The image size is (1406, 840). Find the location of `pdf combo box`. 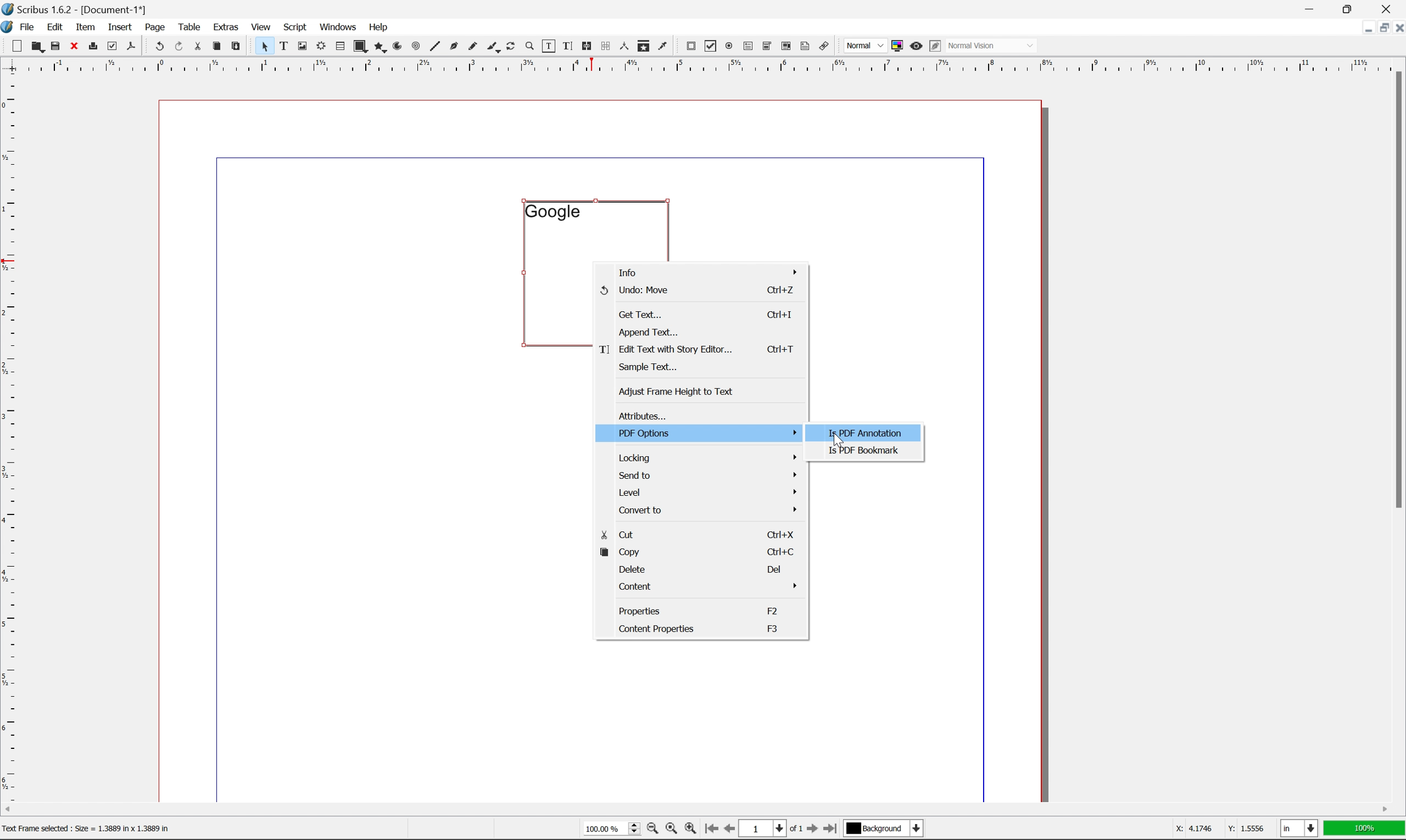

pdf combo box is located at coordinates (766, 47).